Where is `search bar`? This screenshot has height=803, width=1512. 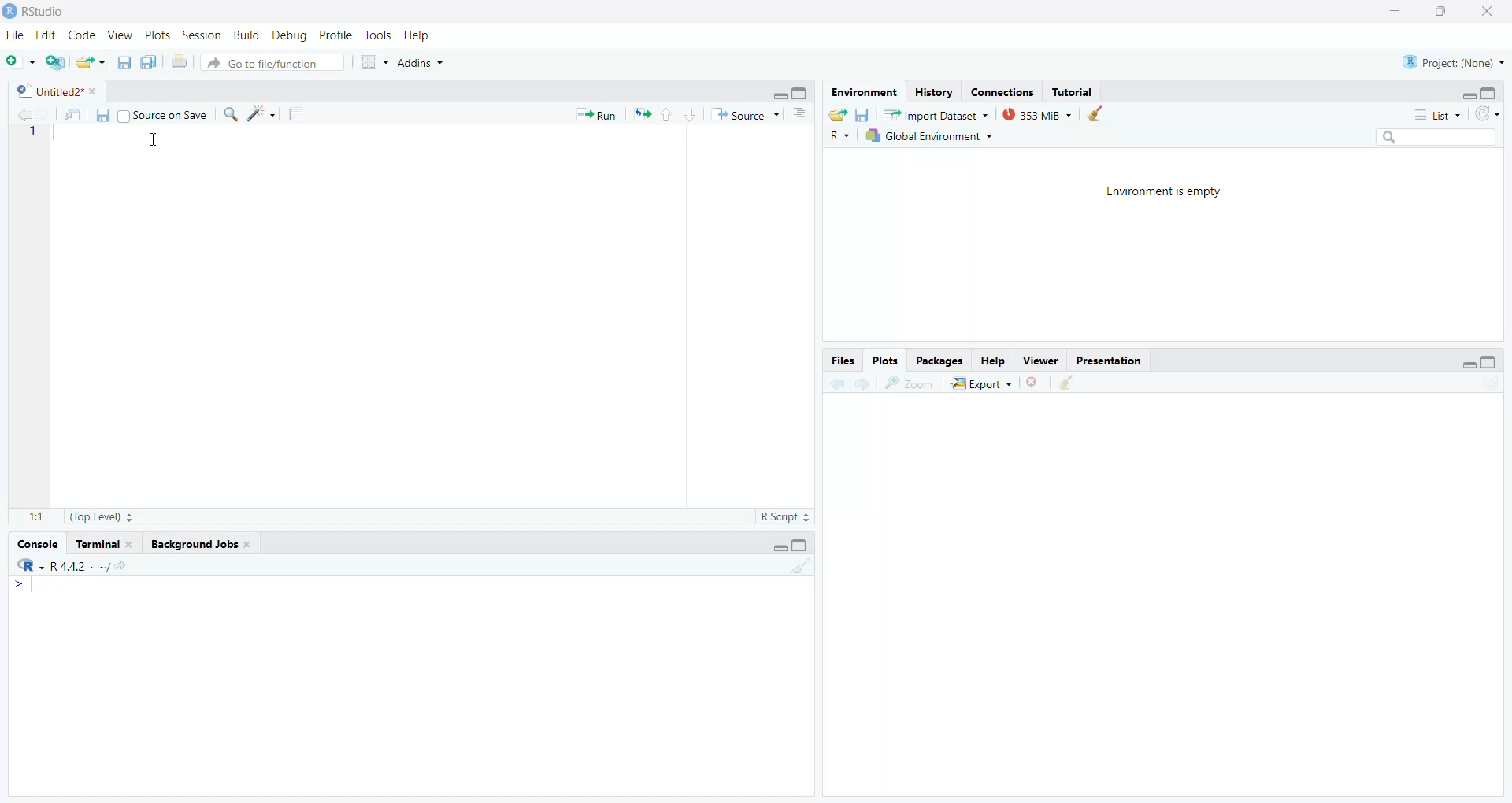
search bar is located at coordinates (1440, 139).